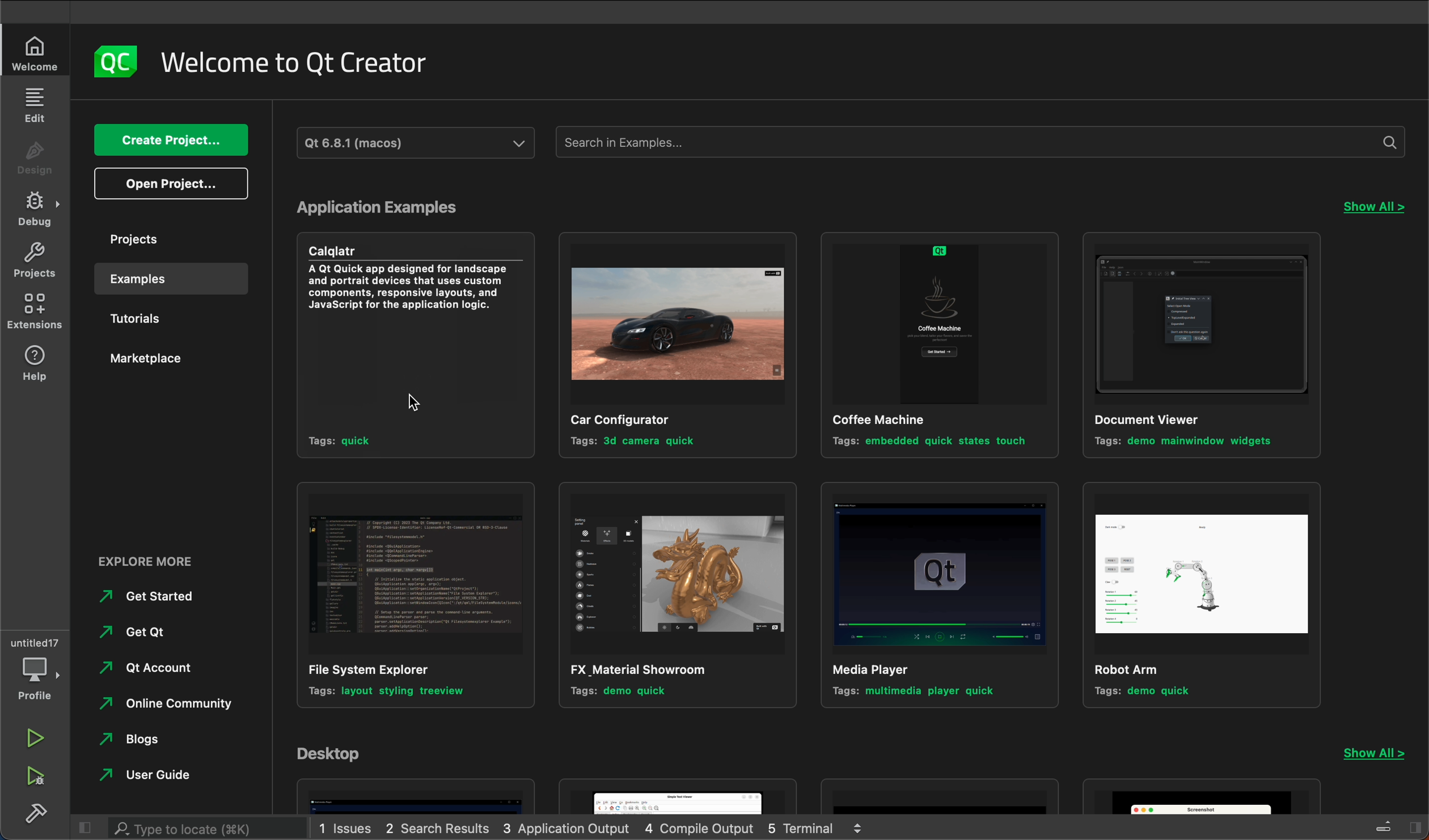 Image resolution: width=1429 pixels, height=840 pixels. Describe the element at coordinates (170, 185) in the screenshot. I see `open` at that location.